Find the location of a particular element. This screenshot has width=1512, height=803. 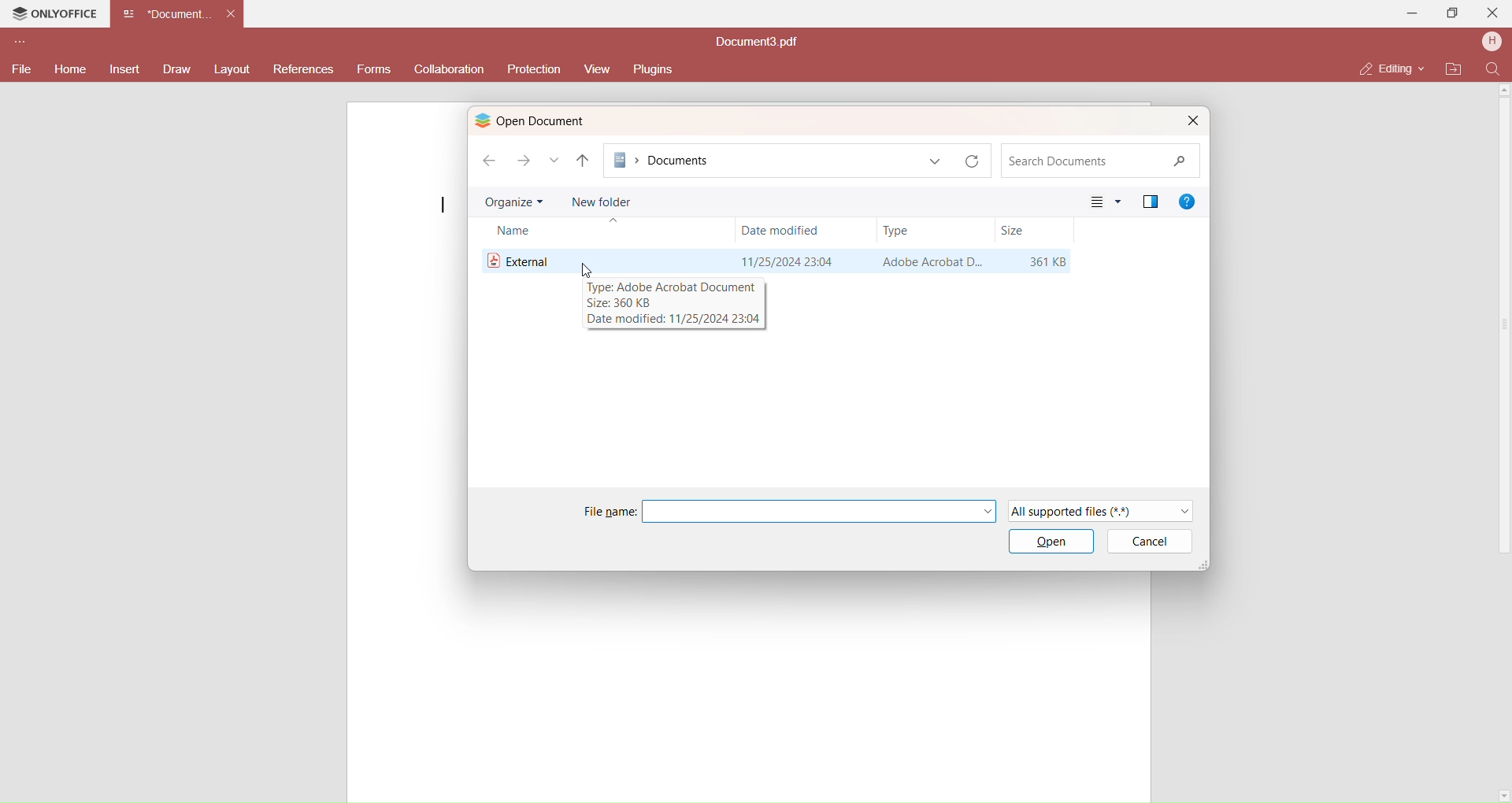

Layout is located at coordinates (232, 69).